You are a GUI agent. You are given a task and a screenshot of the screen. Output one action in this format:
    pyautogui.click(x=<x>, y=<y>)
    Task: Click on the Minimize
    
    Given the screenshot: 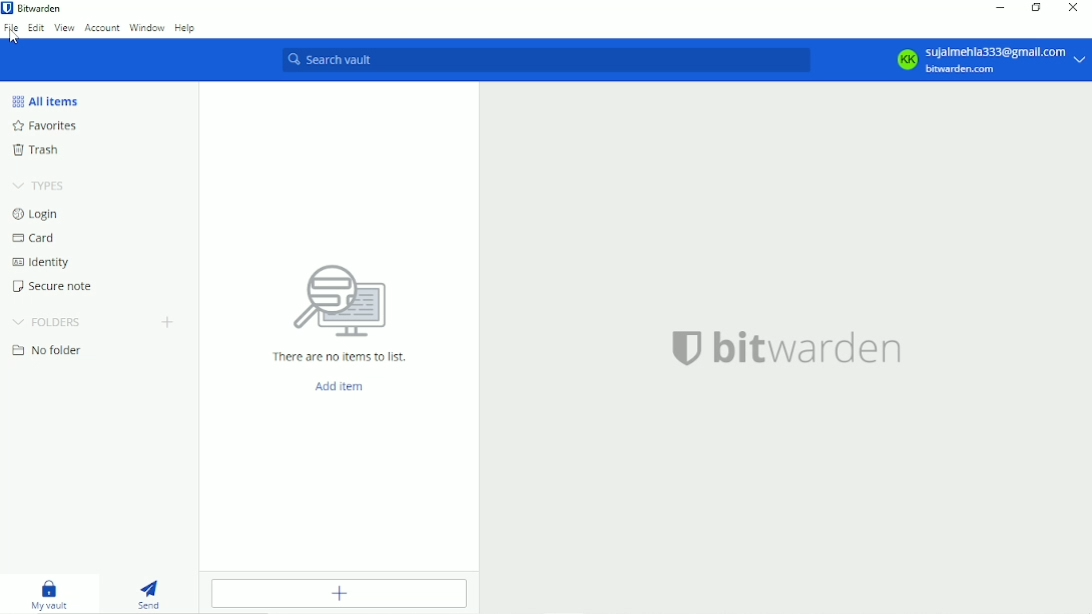 What is the action you would take?
    pyautogui.click(x=999, y=7)
    